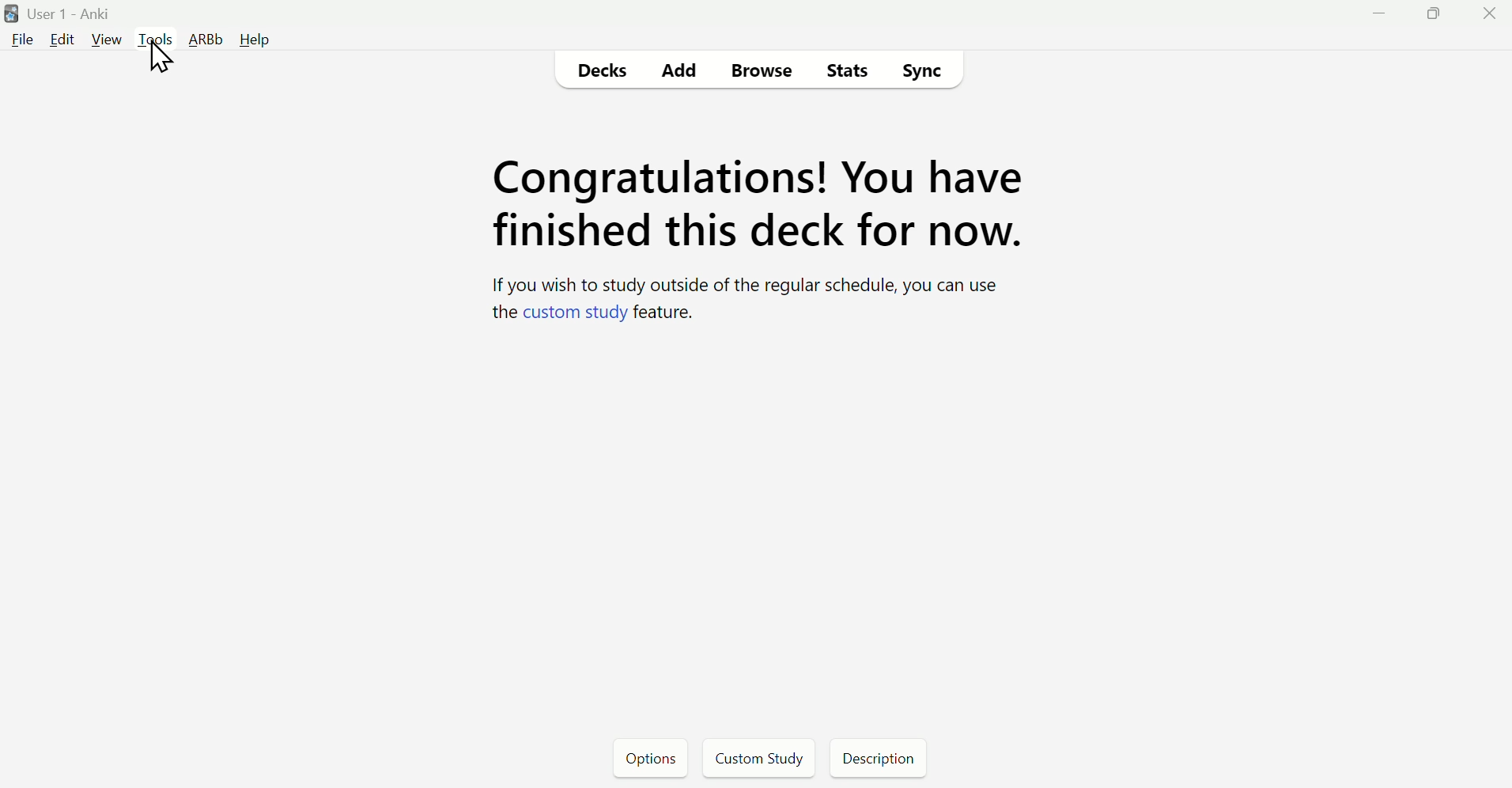 This screenshot has height=788, width=1512. What do you see at coordinates (846, 72) in the screenshot?
I see `Stats` at bounding box center [846, 72].